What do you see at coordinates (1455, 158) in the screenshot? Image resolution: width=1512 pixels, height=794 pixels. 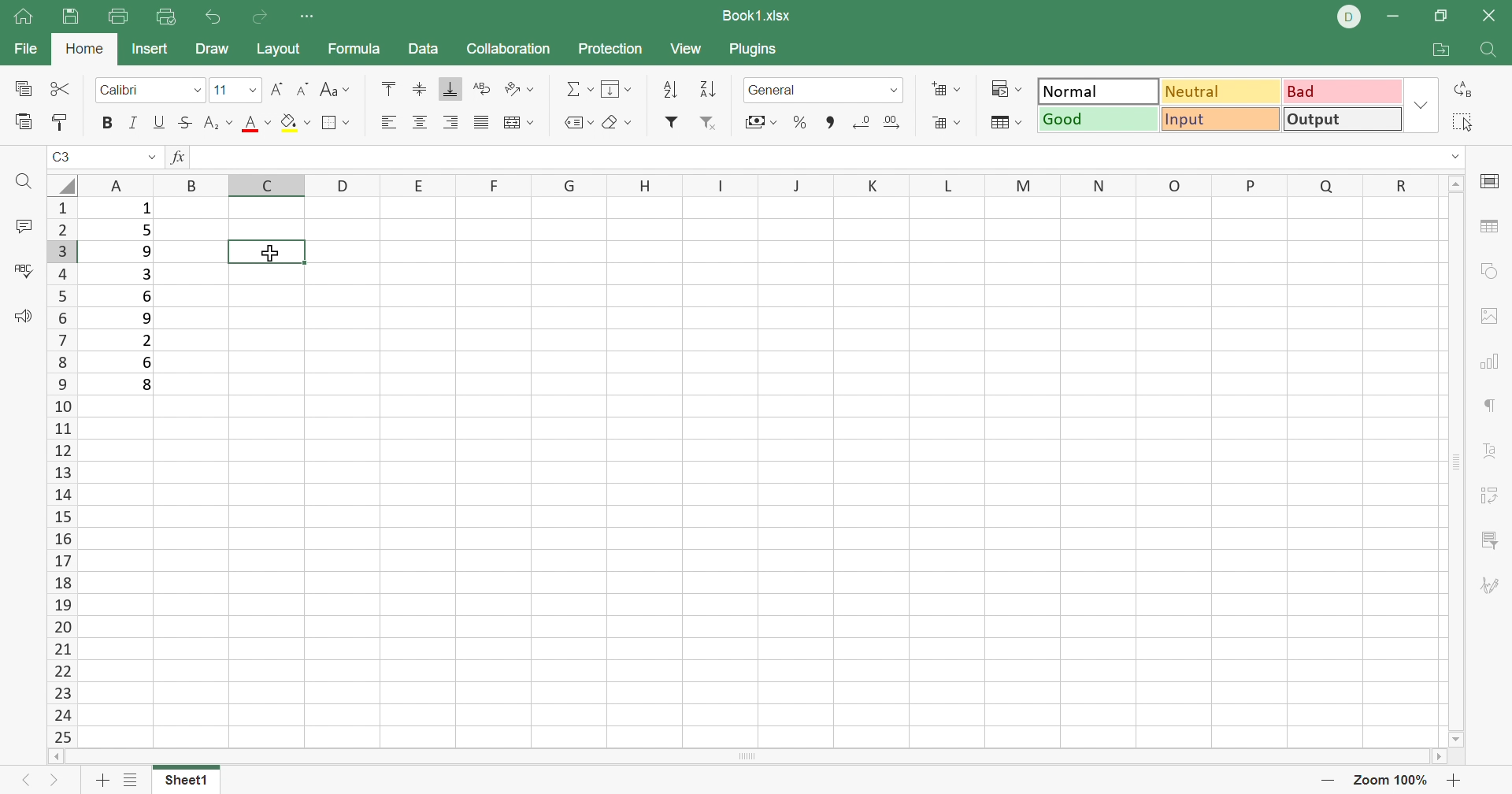 I see `Drop down` at bounding box center [1455, 158].